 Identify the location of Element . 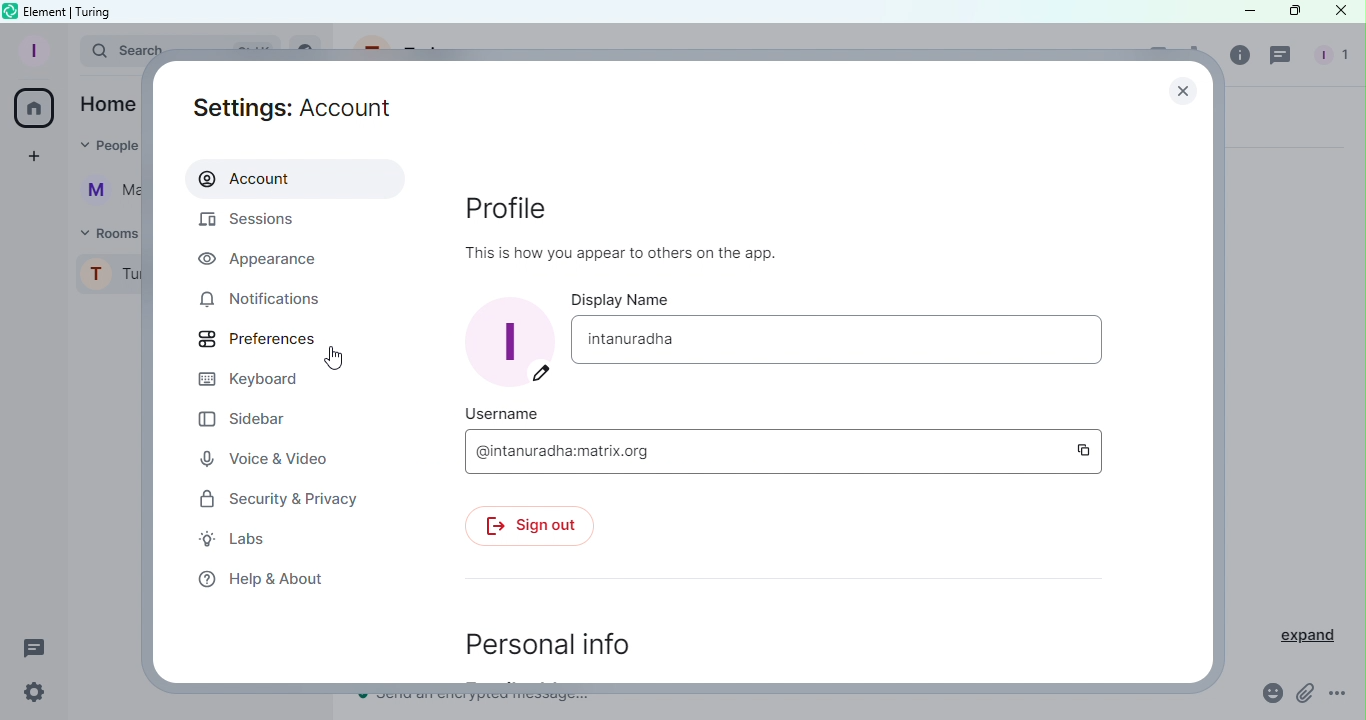
(47, 10).